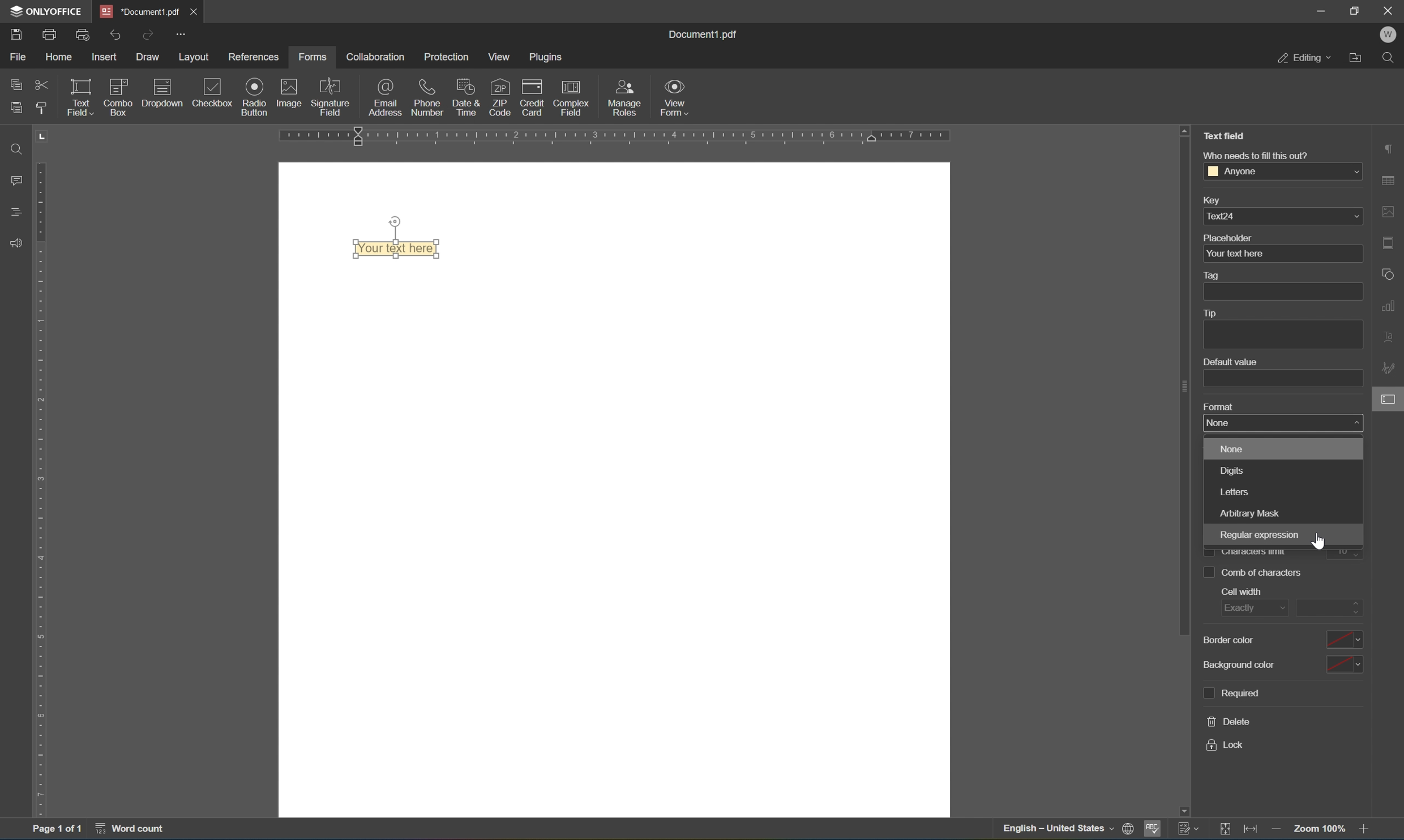 The image size is (1404, 840). Describe the element at coordinates (18, 211) in the screenshot. I see `headings` at that location.